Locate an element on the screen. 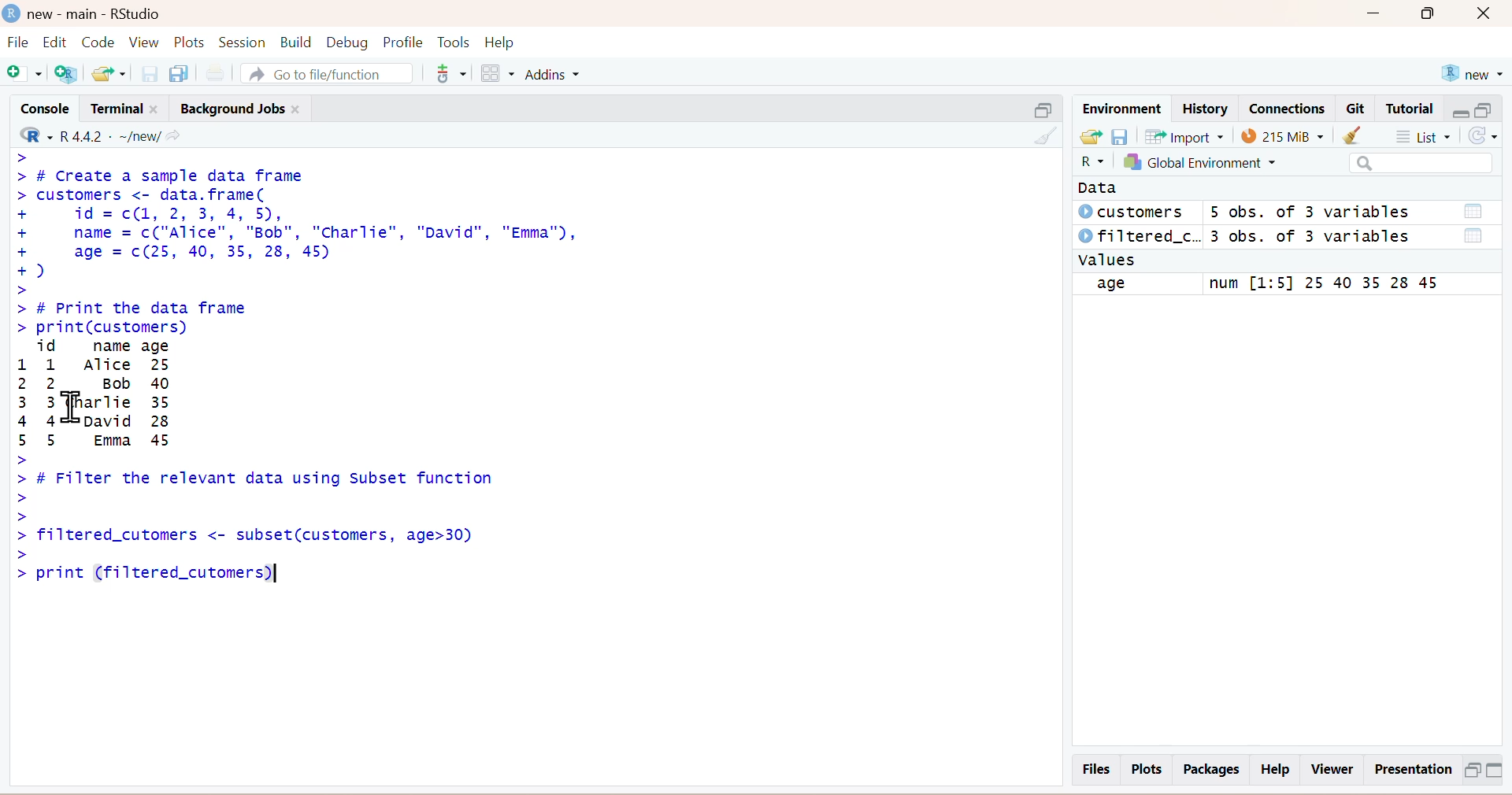 The height and width of the screenshot is (795, 1512). refresh is located at coordinates (1489, 138).